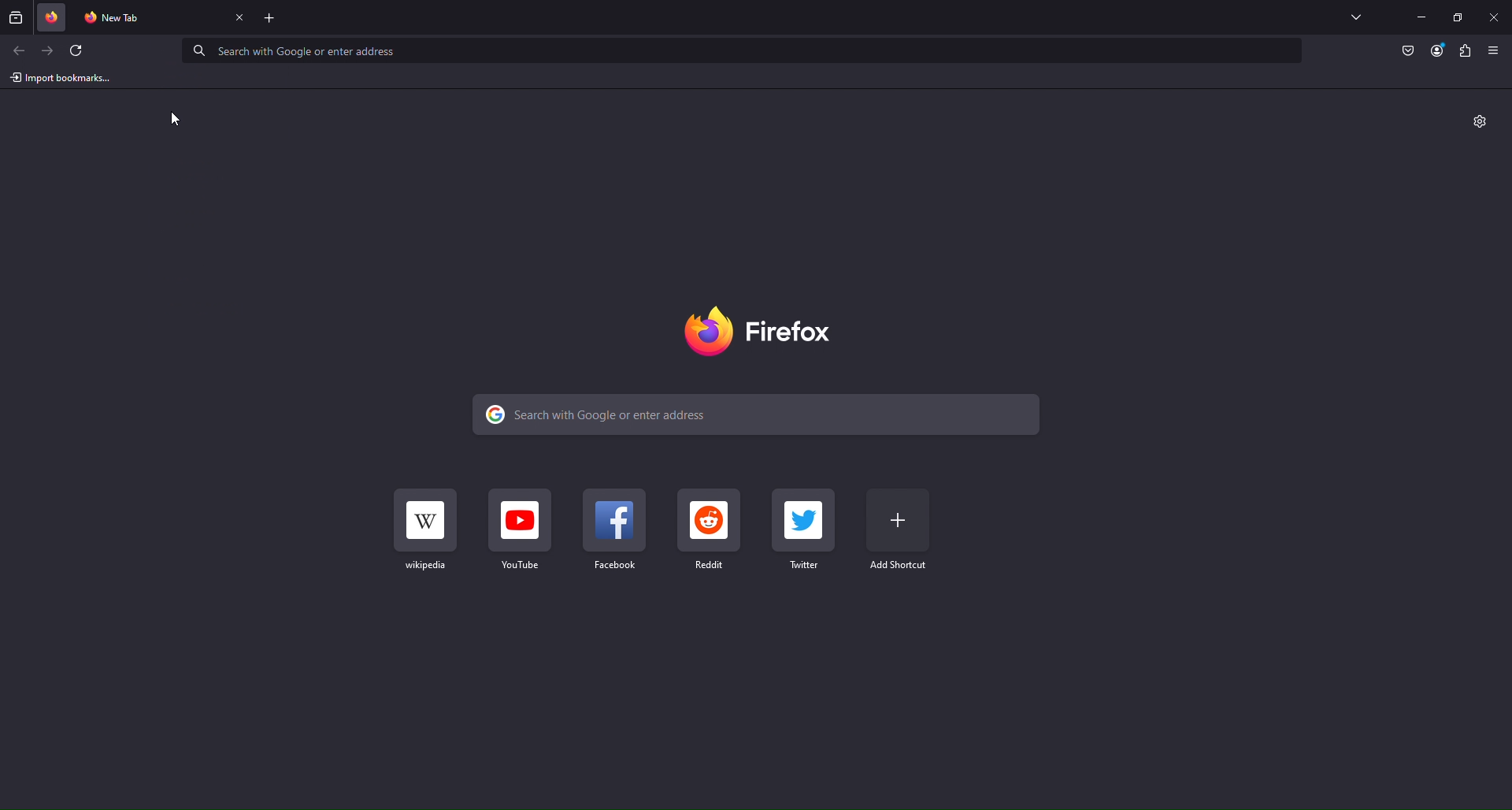  What do you see at coordinates (241, 19) in the screenshot?
I see `close tab` at bounding box center [241, 19].